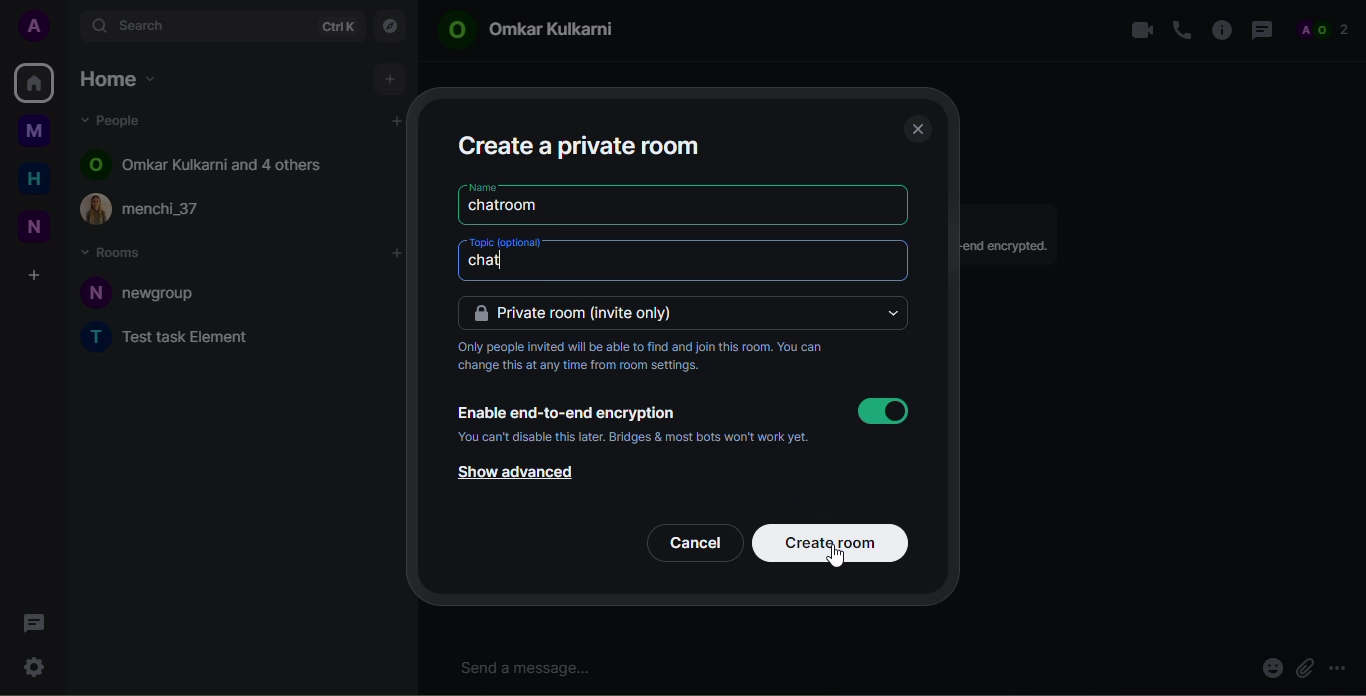 The image size is (1366, 696). What do you see at coordinates (1329, 29) in the screenshot?
I see `people` at bounding box center [1329, 29].